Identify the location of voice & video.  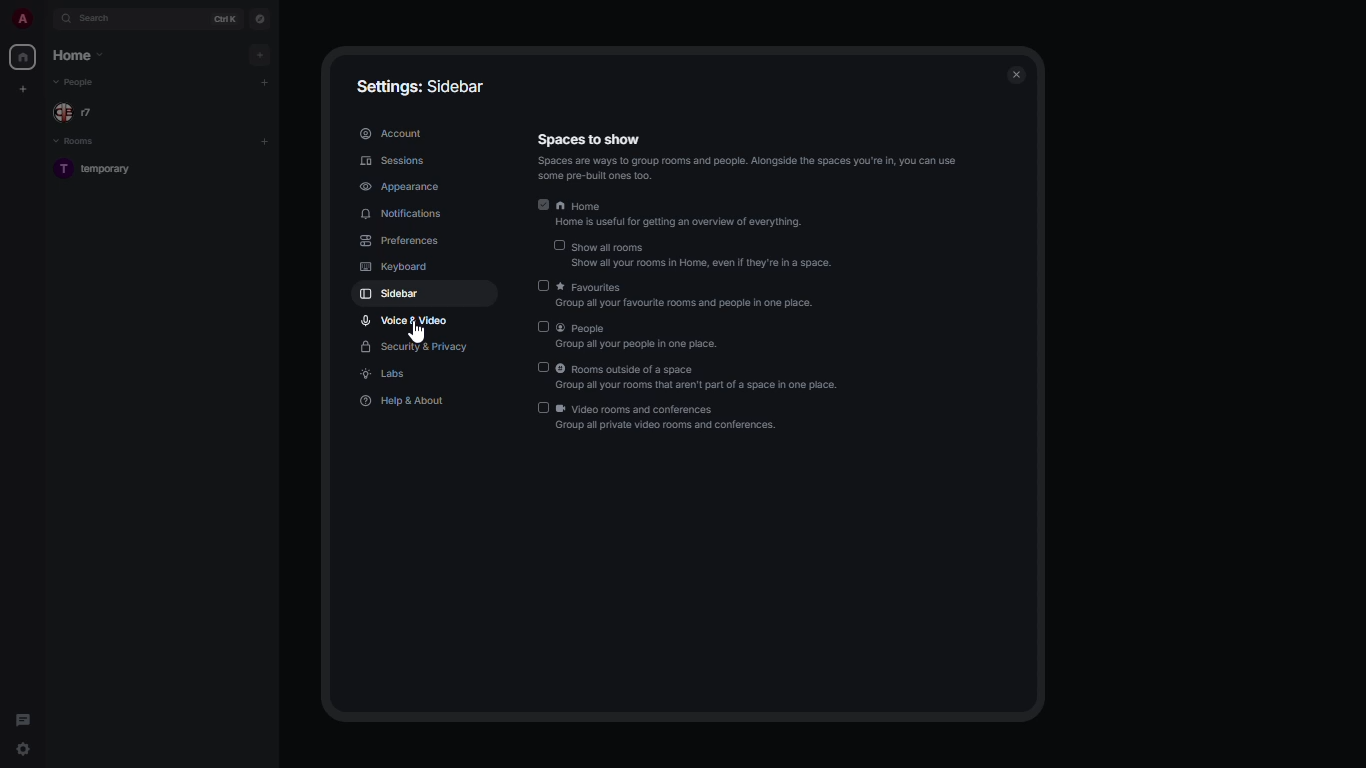
(405, 320).